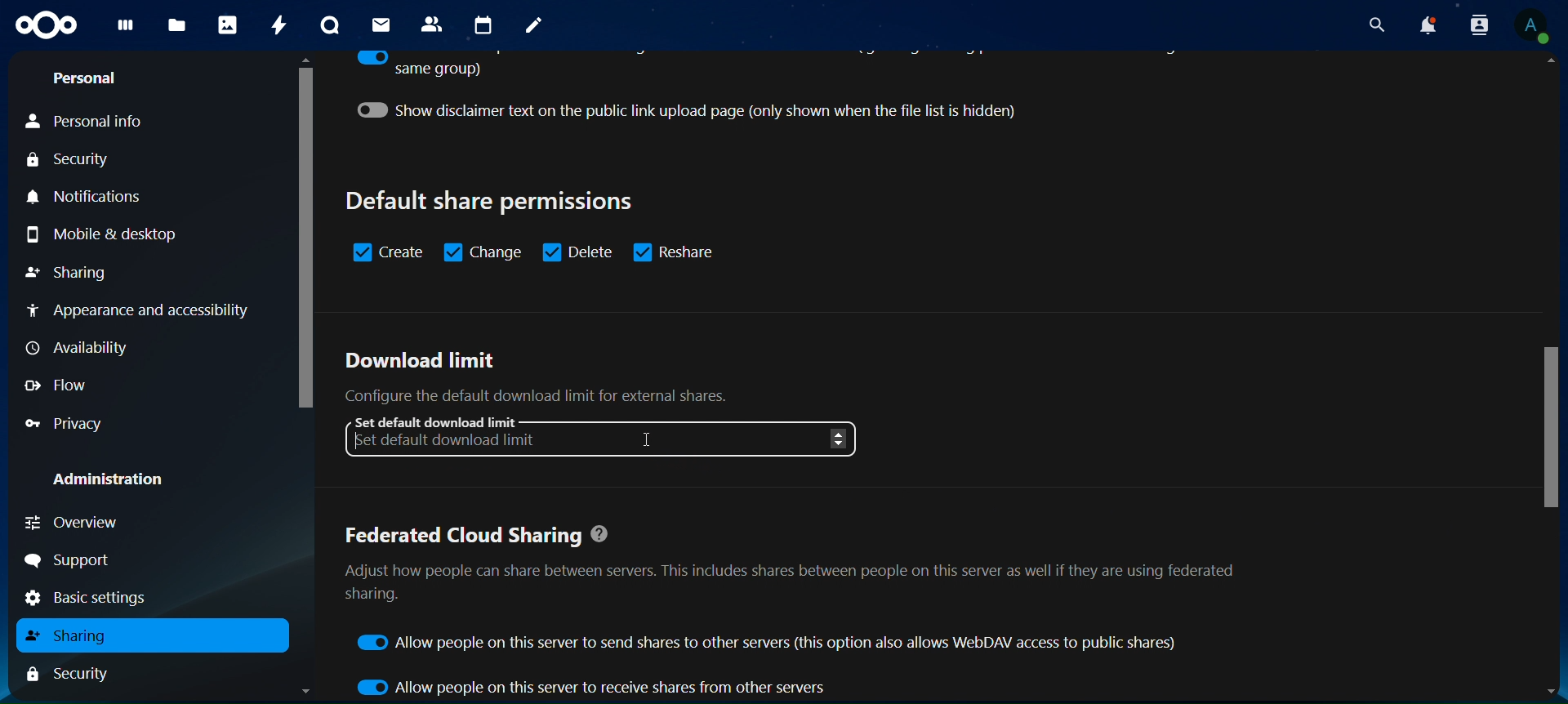  I want to click on basic settings, so click(100, 599).